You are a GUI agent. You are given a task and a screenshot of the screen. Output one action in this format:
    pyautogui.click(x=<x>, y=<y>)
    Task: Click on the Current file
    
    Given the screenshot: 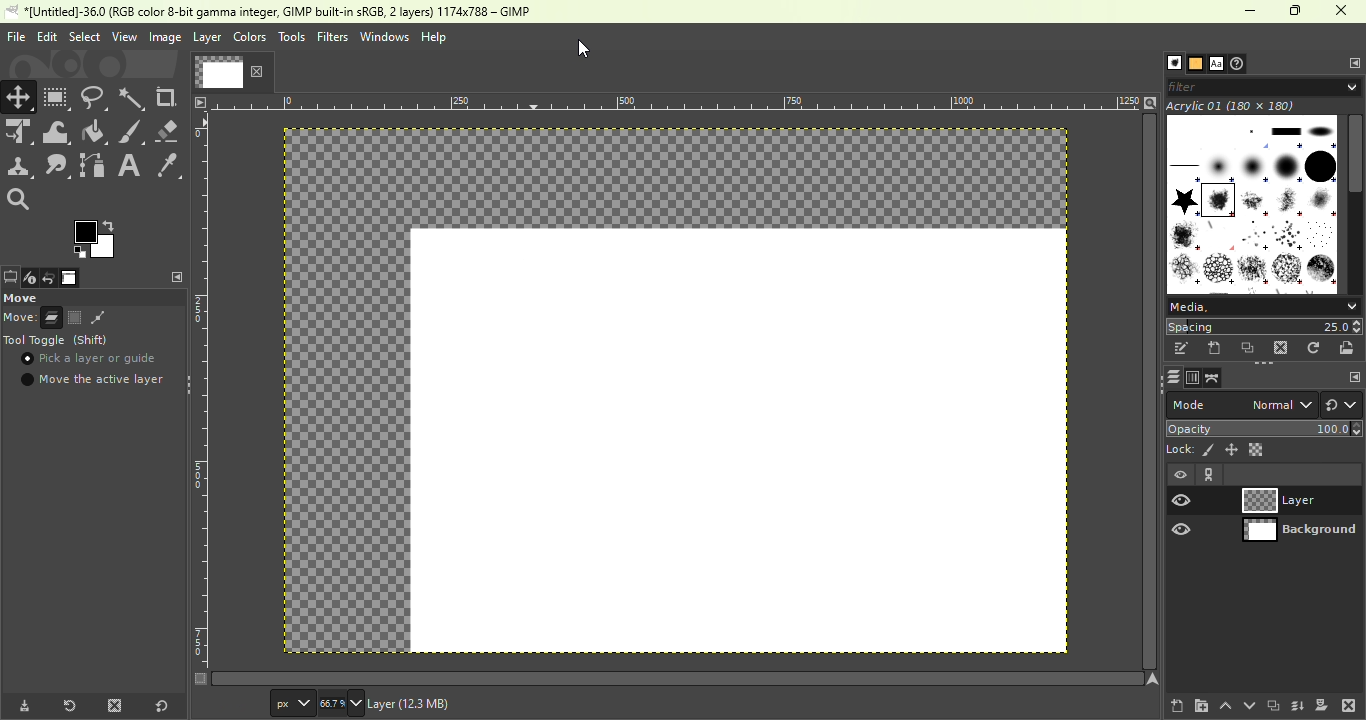 What is the action you would take?
    pyautogui.click(x=231, y=71)
    